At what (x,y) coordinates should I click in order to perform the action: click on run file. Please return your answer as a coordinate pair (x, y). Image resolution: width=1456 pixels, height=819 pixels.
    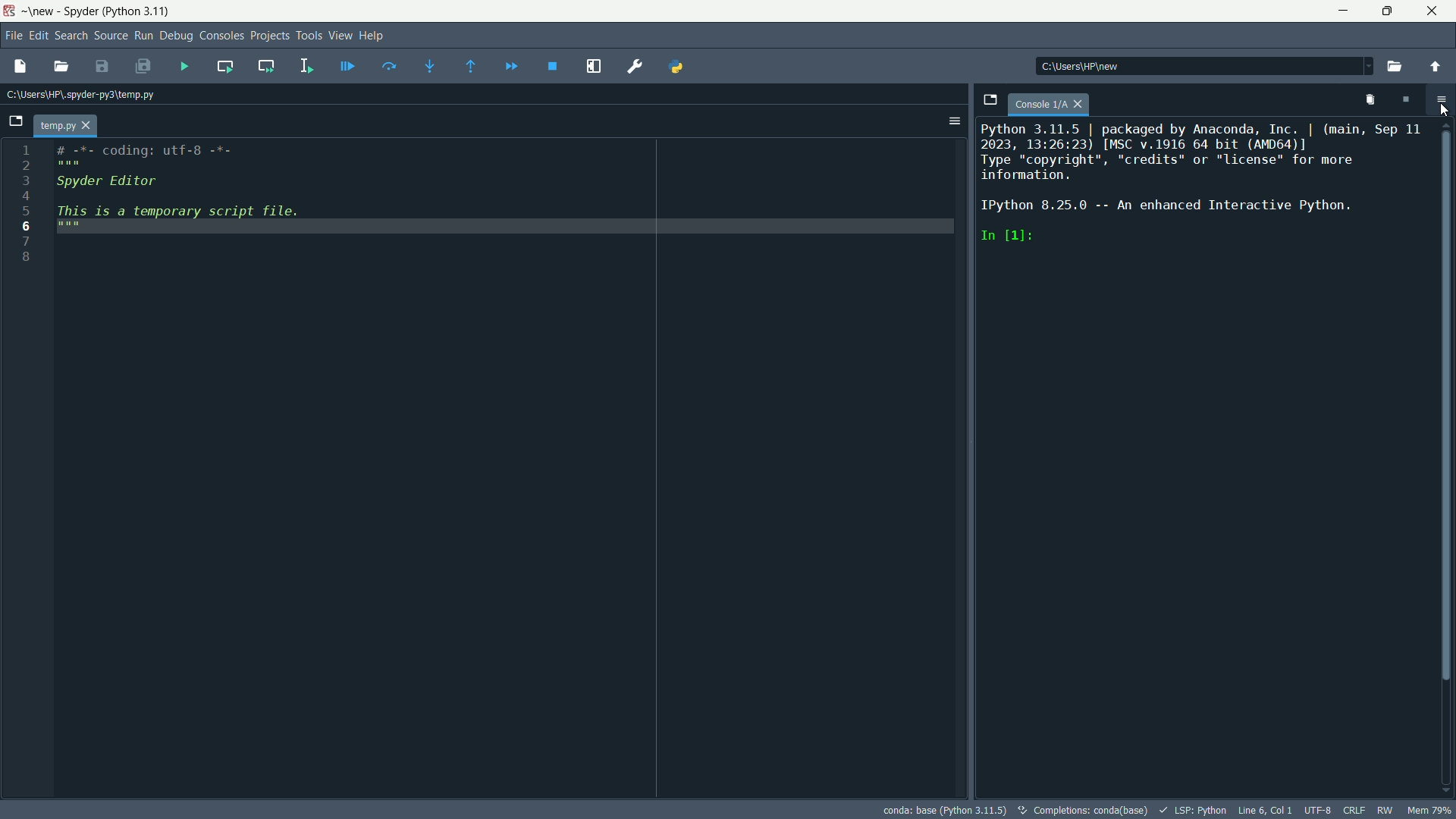
    Looking at the image, I should click on (187, 67).